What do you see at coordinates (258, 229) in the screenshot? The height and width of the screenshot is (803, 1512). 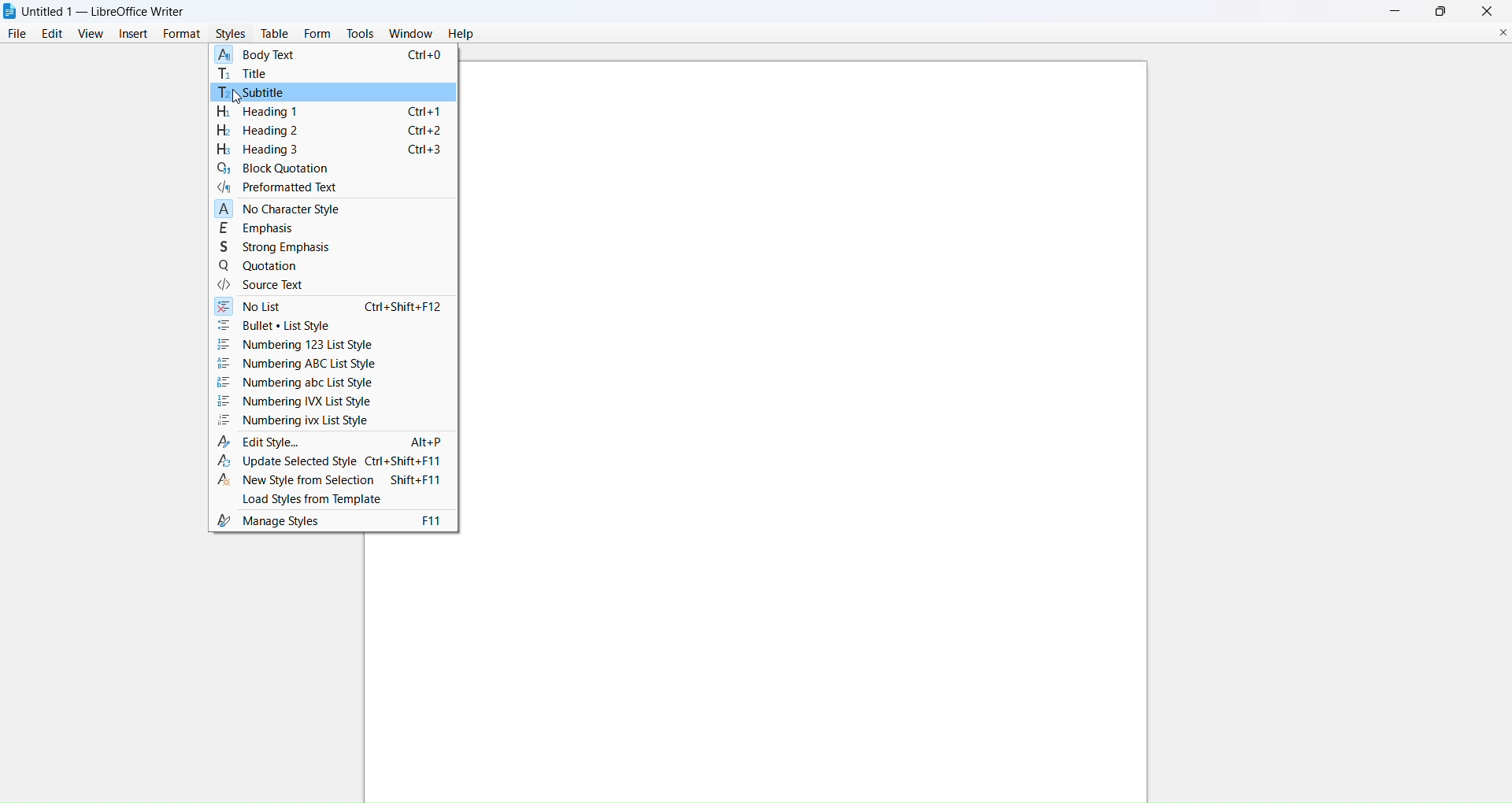 I see `emphasis` at bounding box center [258, 229].